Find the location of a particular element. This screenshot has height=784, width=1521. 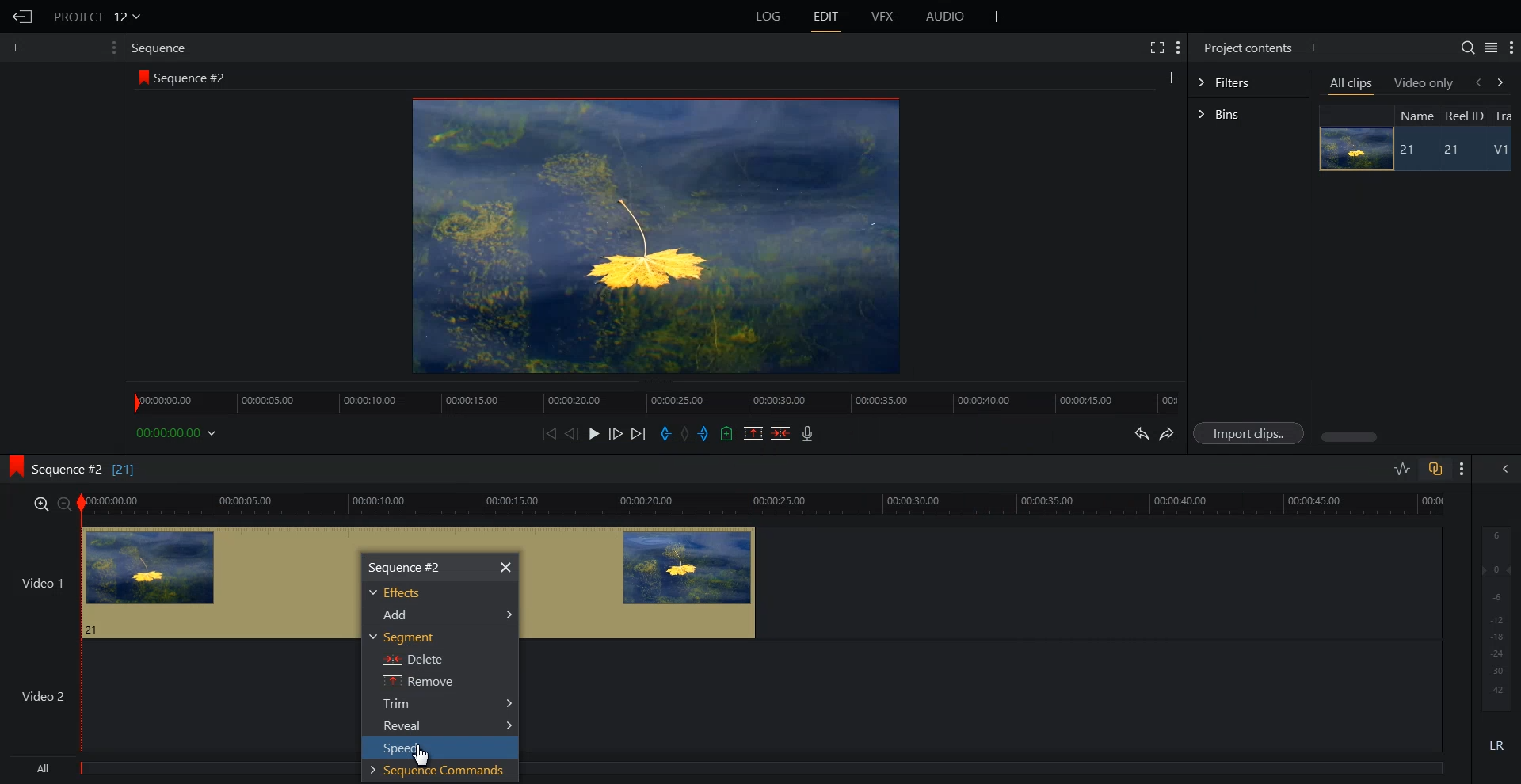

Bins is located at coordinates (1248, 116).